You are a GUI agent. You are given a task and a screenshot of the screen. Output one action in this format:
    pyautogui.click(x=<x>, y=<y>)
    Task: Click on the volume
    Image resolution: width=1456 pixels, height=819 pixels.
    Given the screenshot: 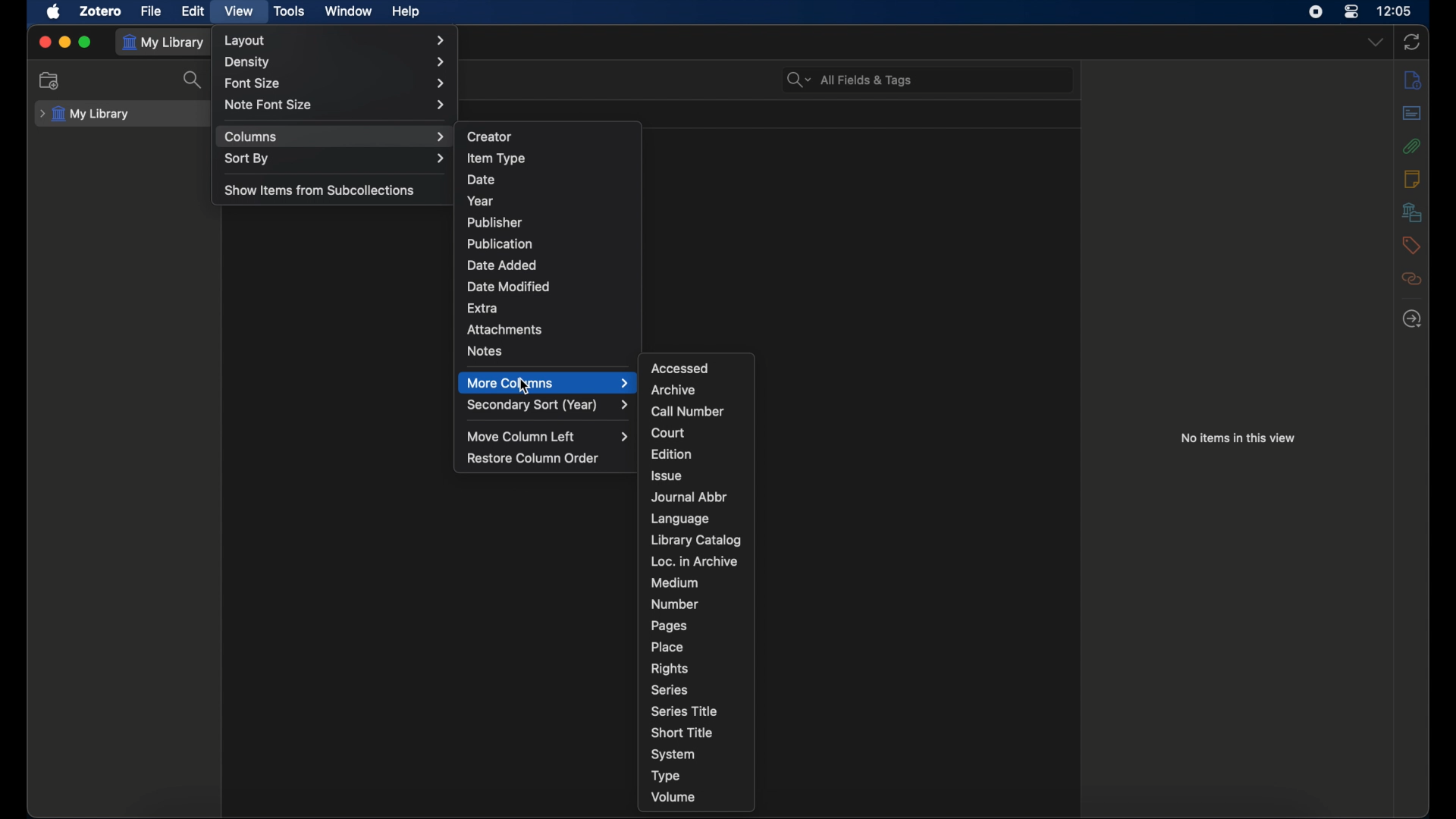 What is the action you would take?
    pyautogui.click(x=674, y=796)
    